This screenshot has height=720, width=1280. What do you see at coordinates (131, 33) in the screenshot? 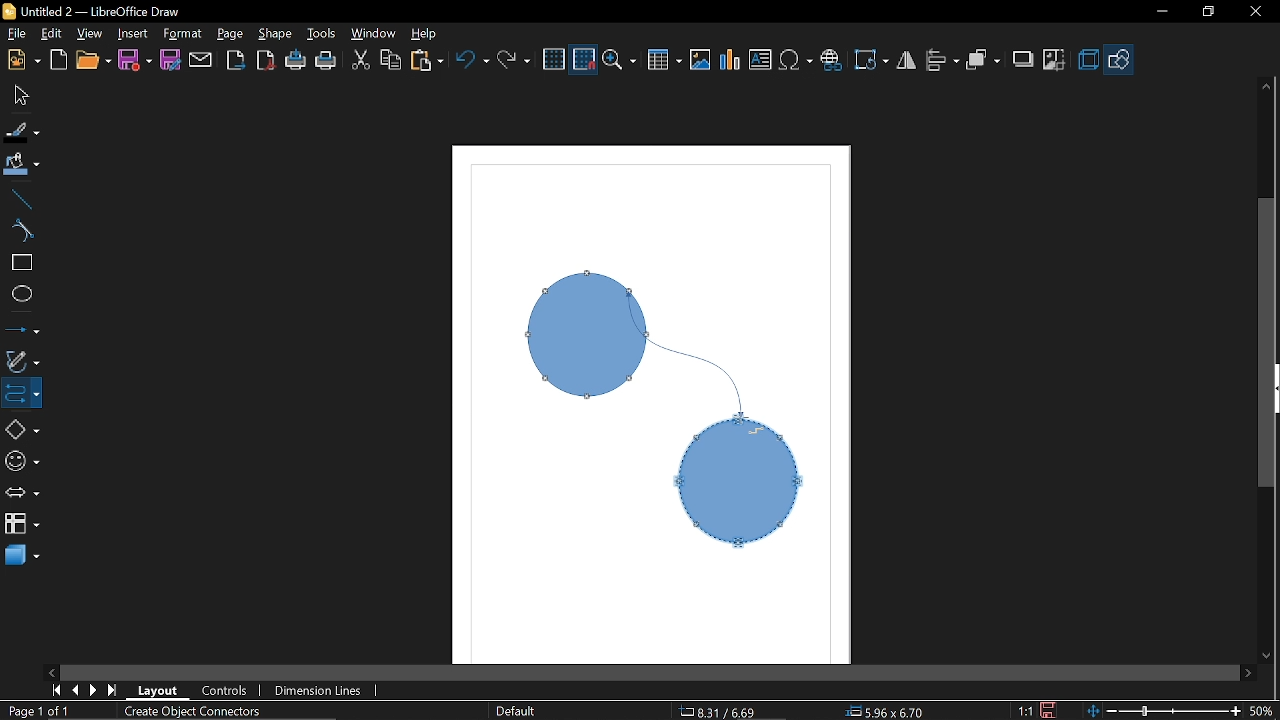
I see `Insert` at bounding box center [131, 33].